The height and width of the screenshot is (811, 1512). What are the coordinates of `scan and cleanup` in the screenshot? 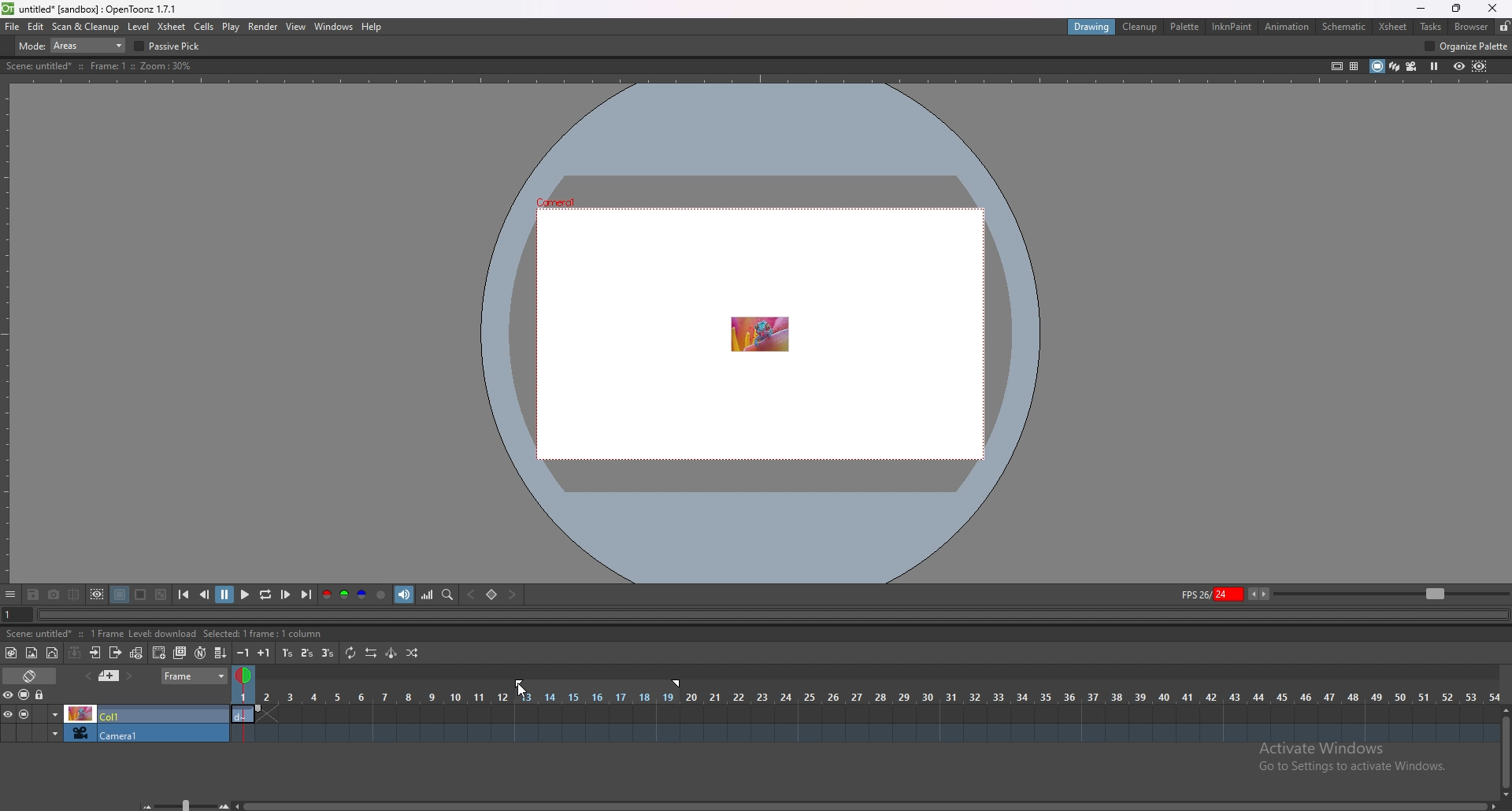 It's located at (87, 26).